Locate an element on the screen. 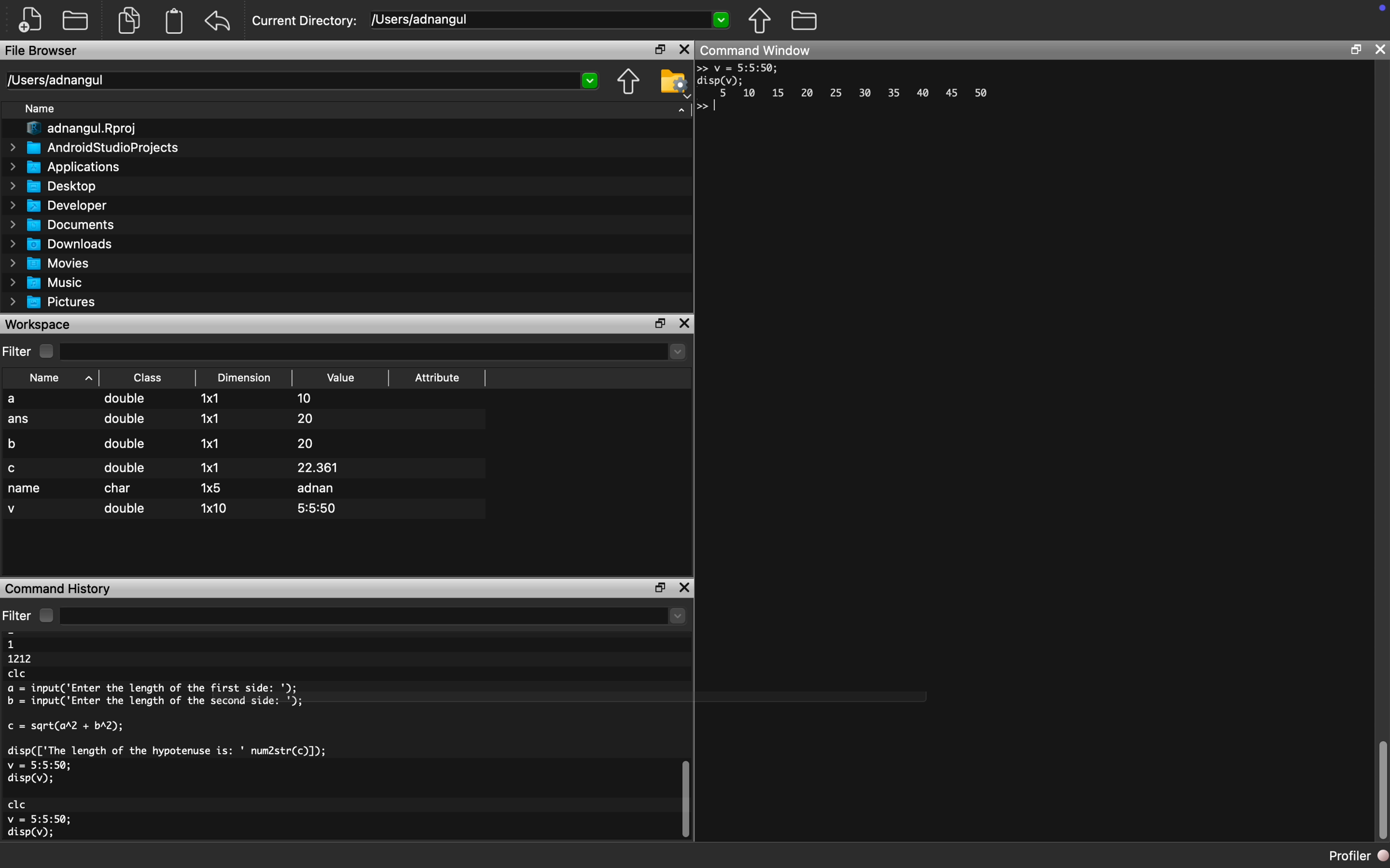  Pictures is located at coordinates (51, 303).